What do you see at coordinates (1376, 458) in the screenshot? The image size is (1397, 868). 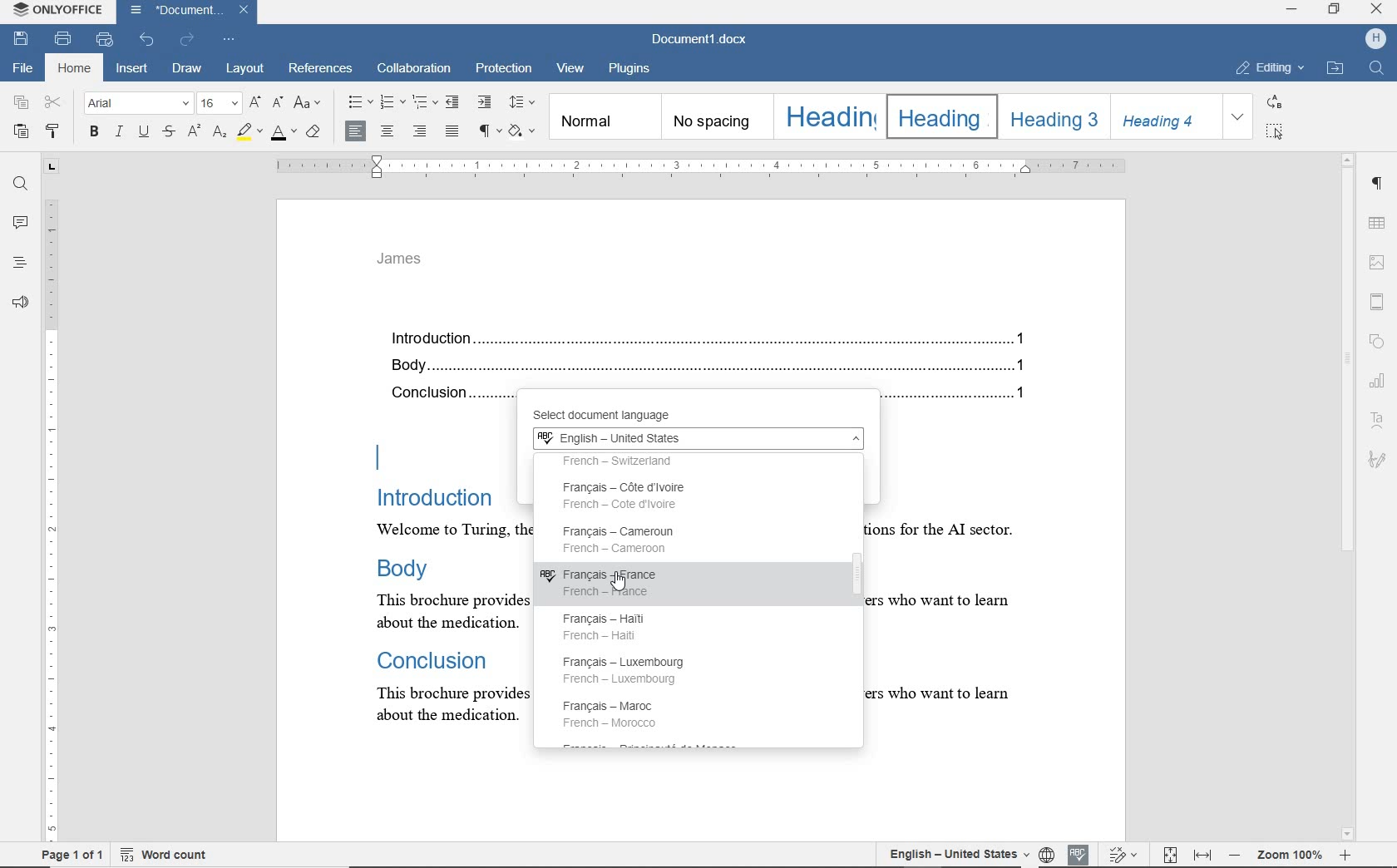 I see `signature` at bounding box center [1376, 458].